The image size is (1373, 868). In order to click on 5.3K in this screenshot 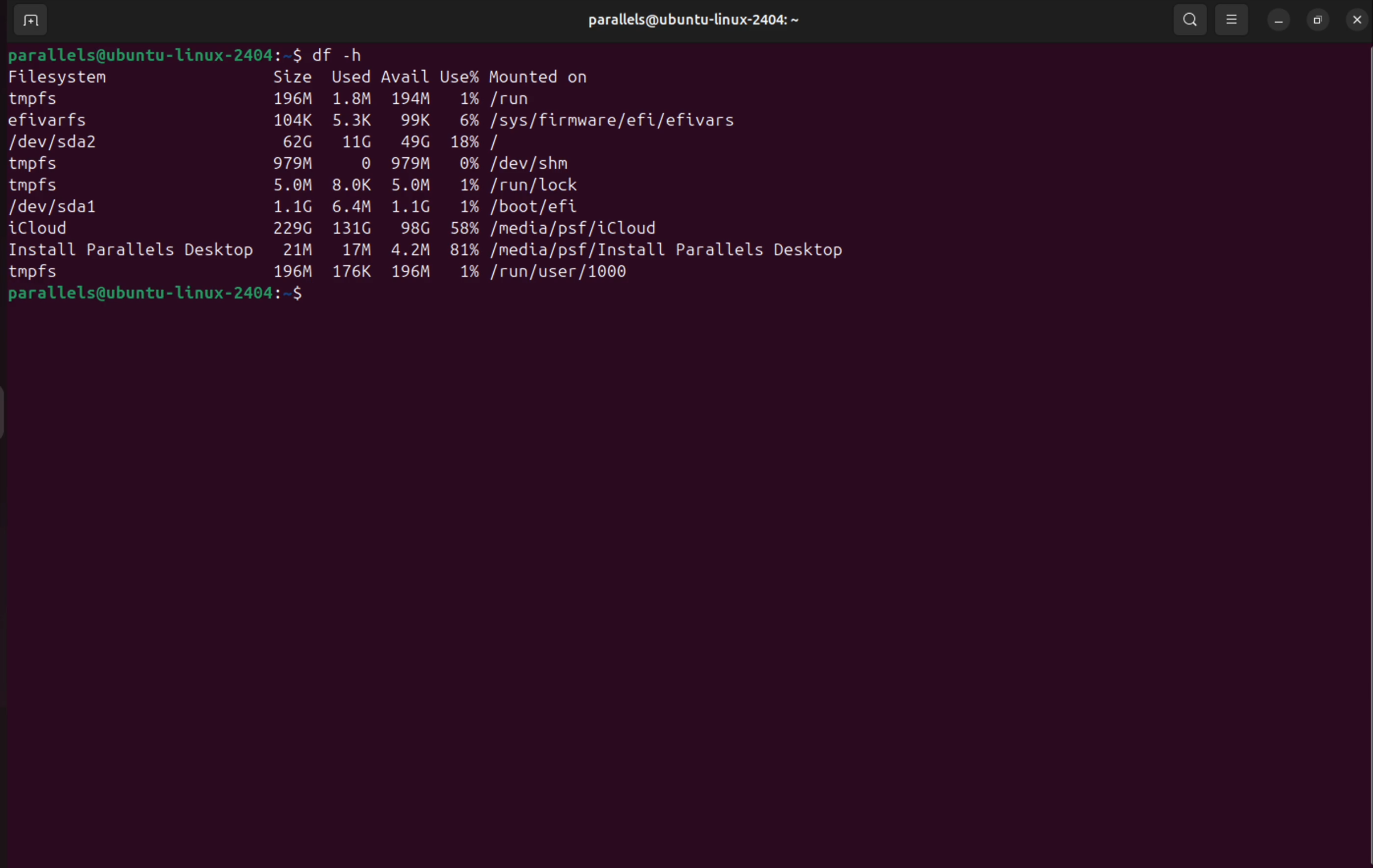, I will do `click(352, 121)`.